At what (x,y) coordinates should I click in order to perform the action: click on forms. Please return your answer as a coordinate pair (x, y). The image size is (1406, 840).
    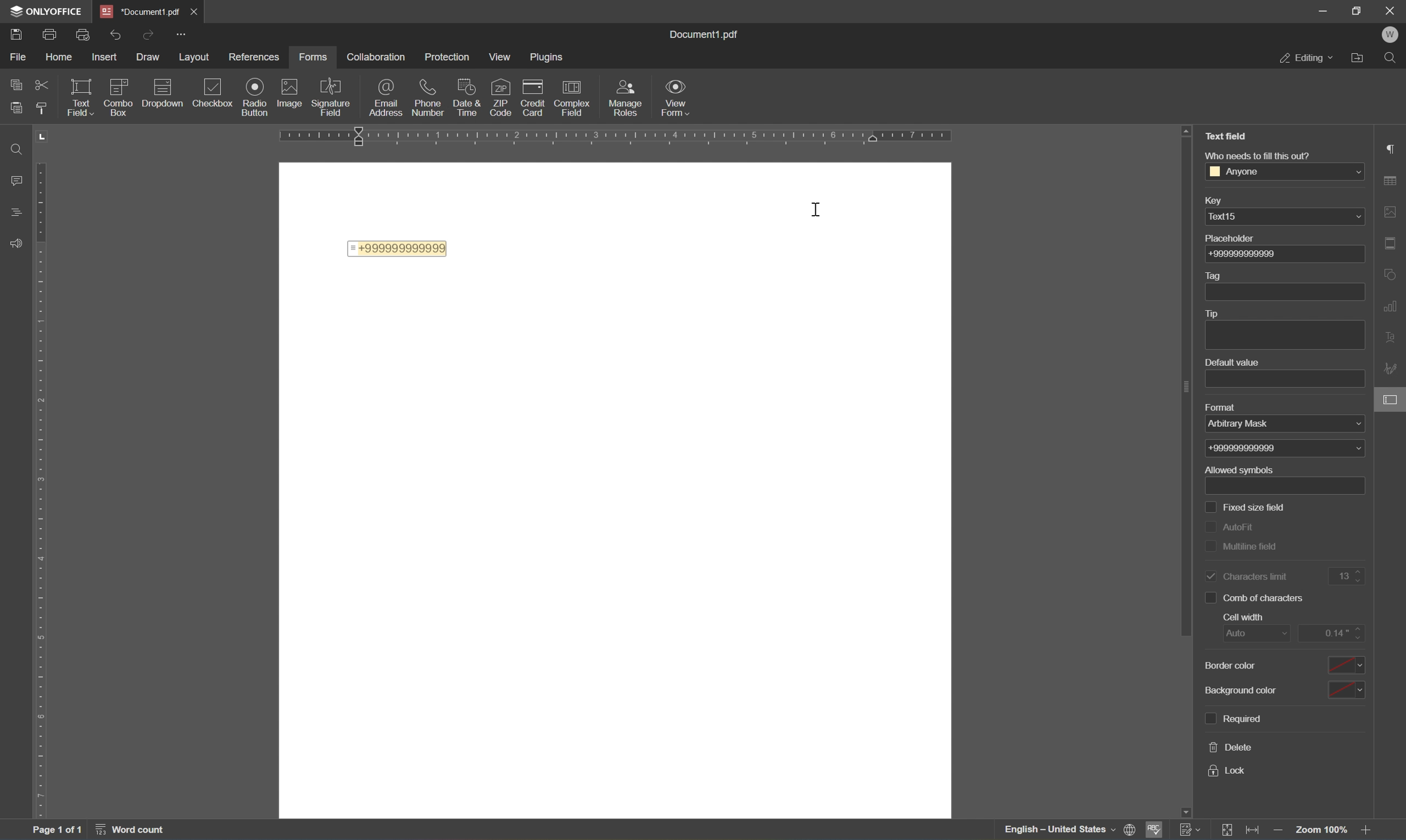
    Looking at the image, I should click on (314, 58).